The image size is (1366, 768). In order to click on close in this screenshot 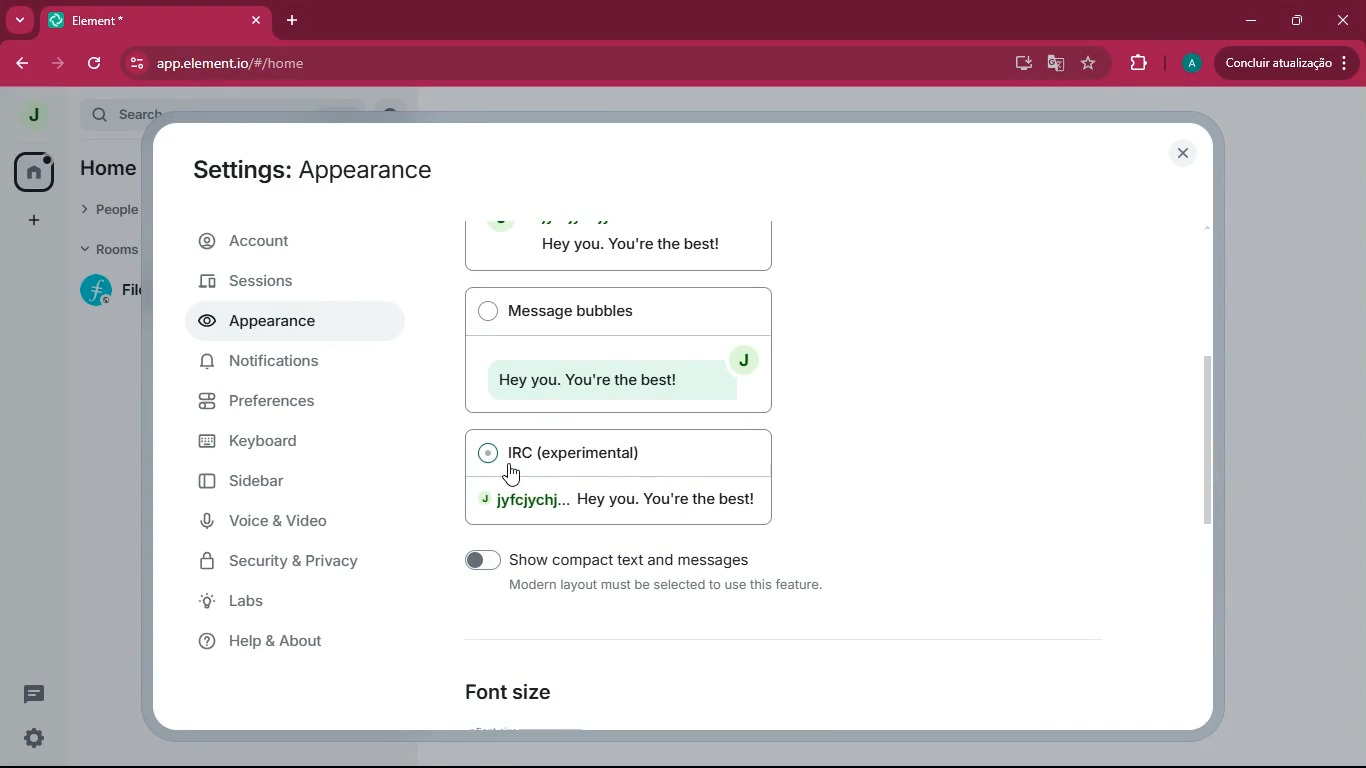, I will do `click(255, 20)`.